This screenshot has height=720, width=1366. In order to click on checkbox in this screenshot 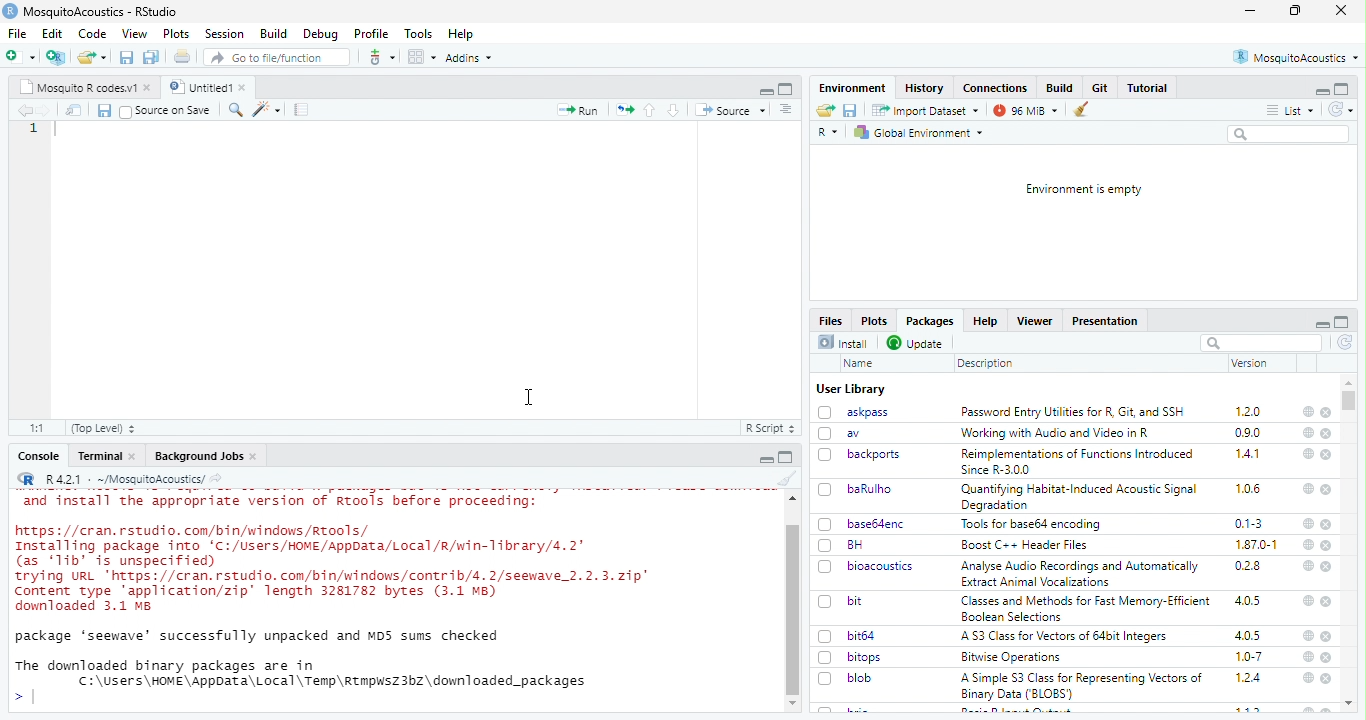, I will do `click(826, 490)`.